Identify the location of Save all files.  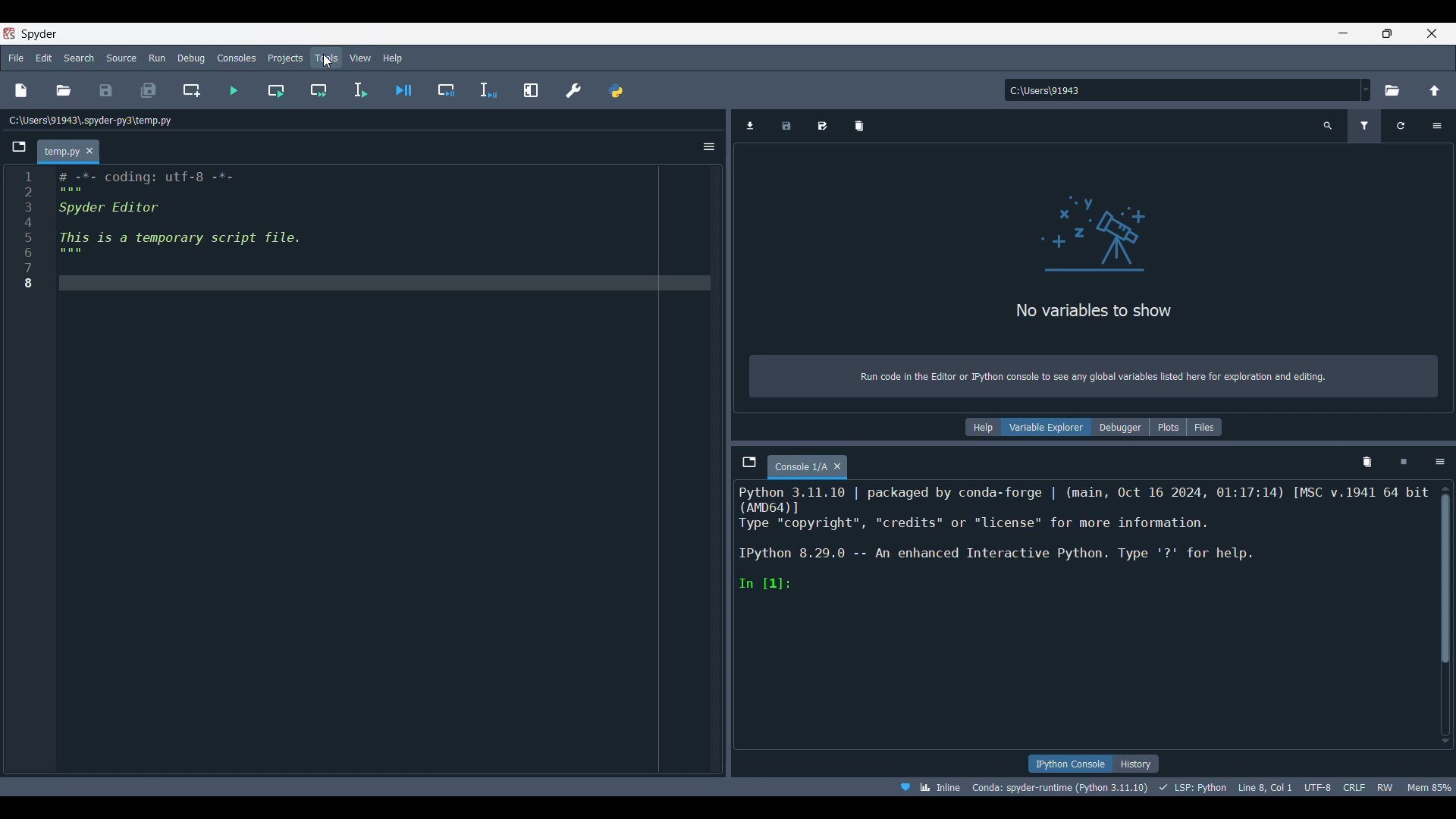
(149, 89).